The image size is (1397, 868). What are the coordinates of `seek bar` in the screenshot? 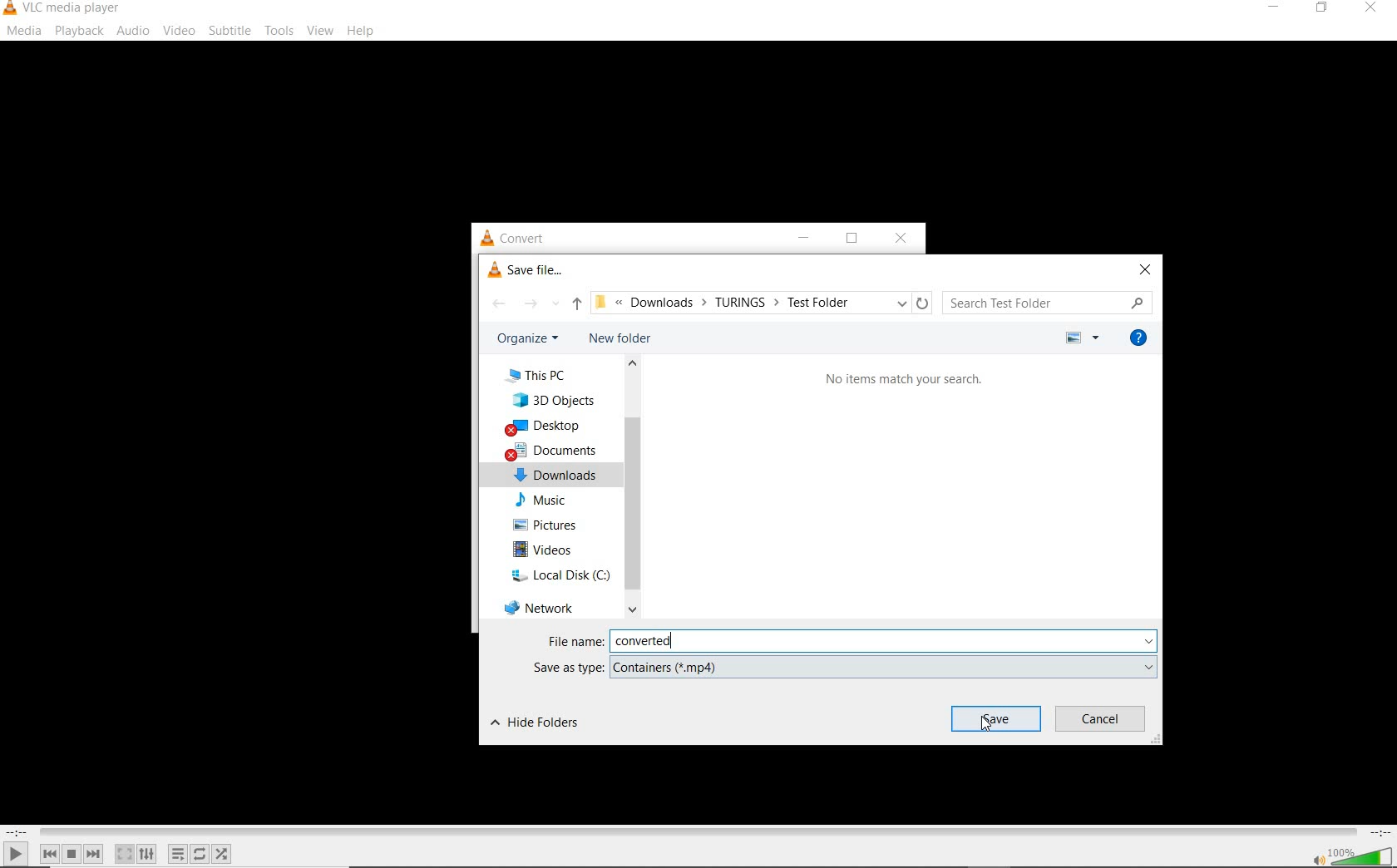 It's located at (696, 832).